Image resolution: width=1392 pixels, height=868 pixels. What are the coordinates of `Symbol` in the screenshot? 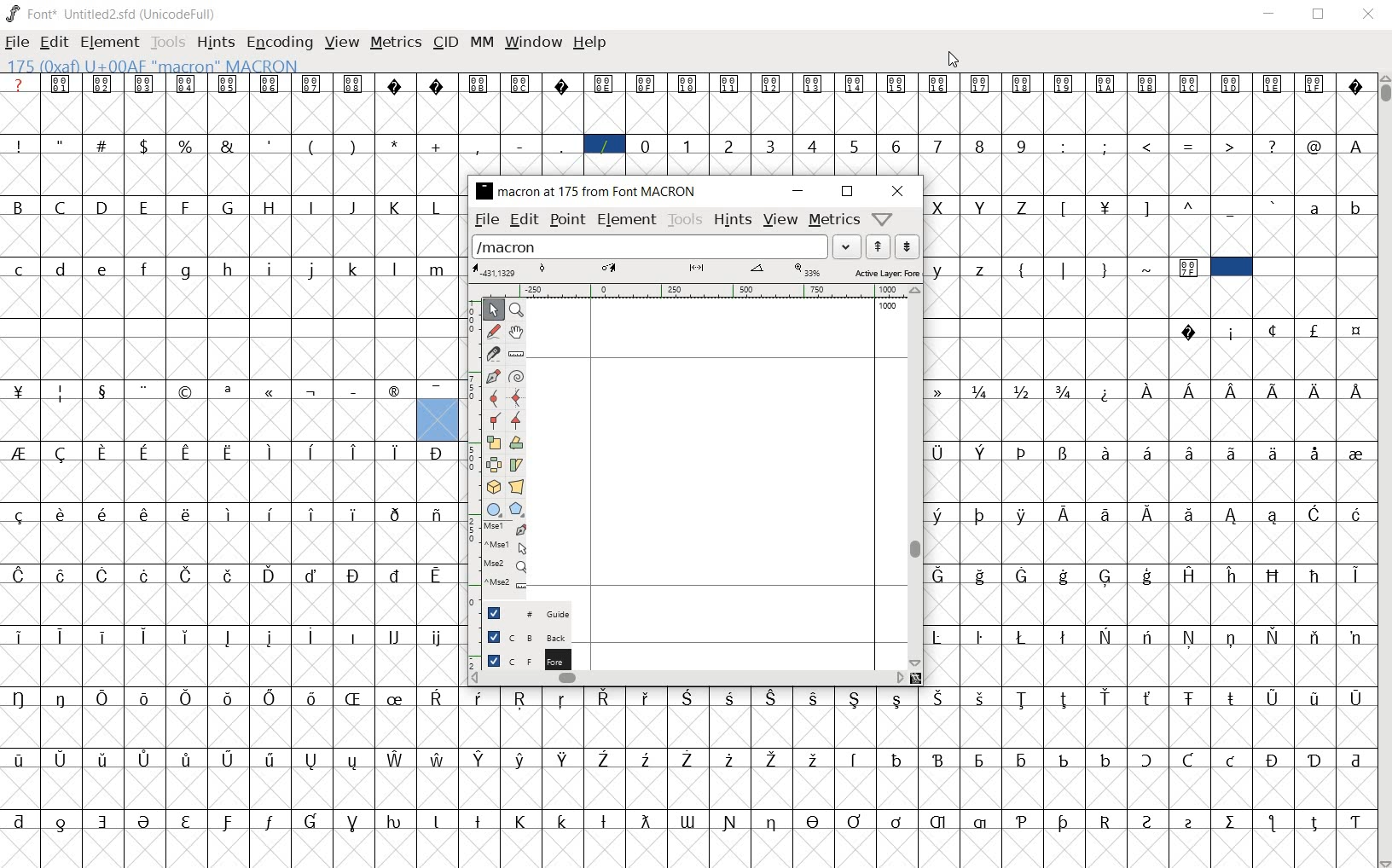 It's located at (313, 451).